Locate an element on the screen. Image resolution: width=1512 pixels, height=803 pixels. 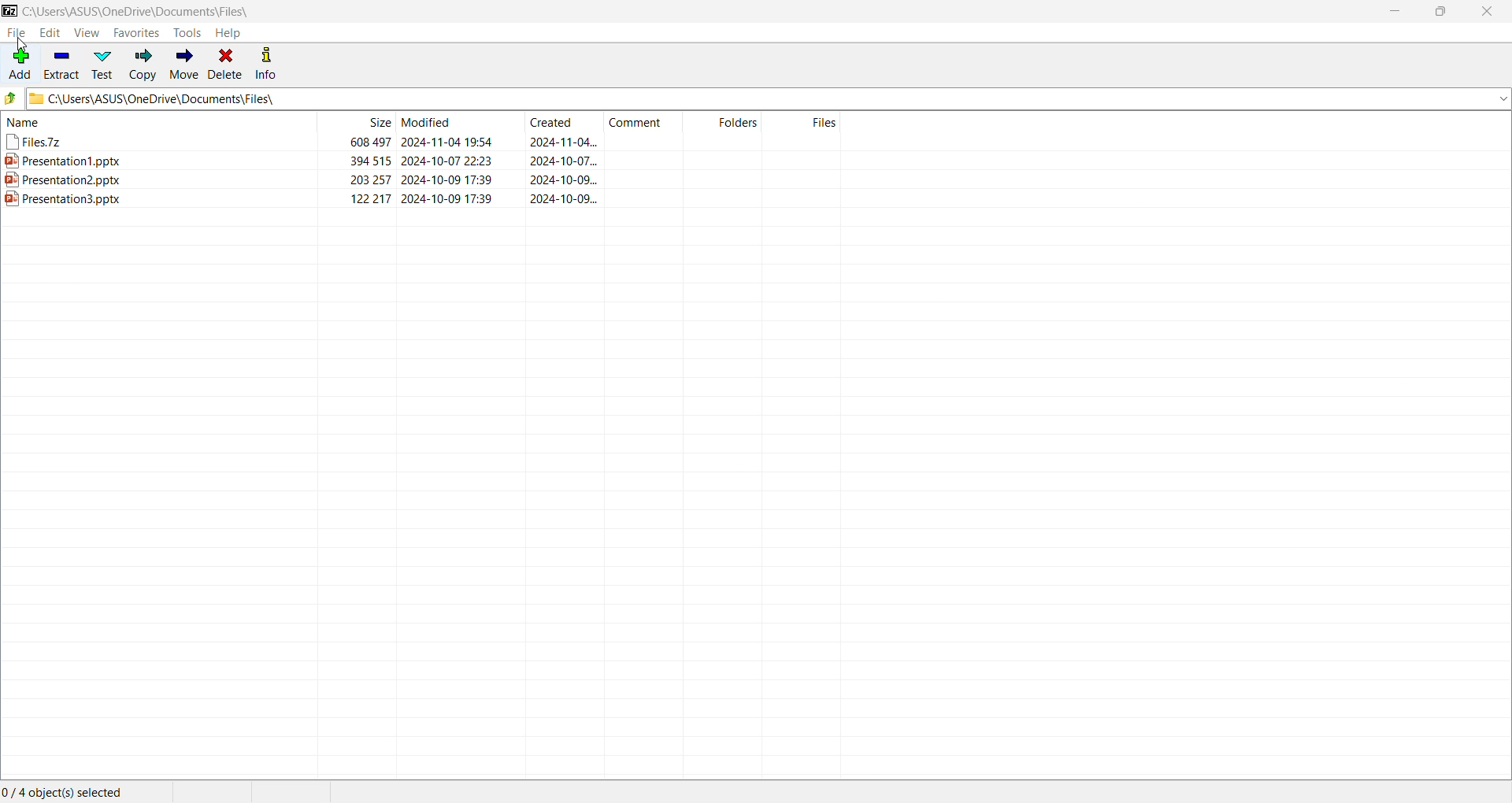
2024-10-09... is located at coordinates (561, 200).